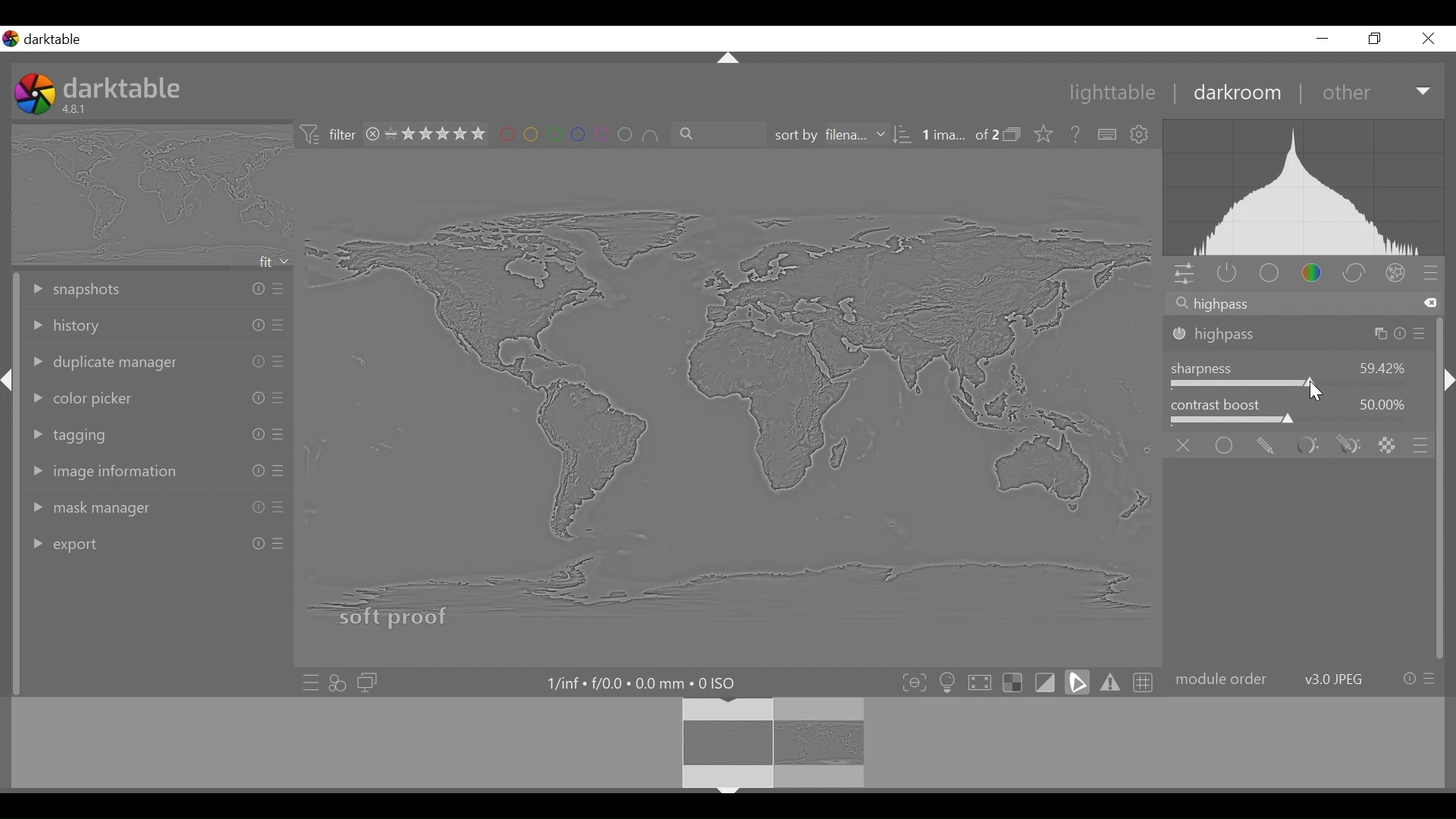 The height and width of the screenshot is (819, 1456). Describe the element at coordinates (1421, 444) in the screenshot. I see `preset` at that location.